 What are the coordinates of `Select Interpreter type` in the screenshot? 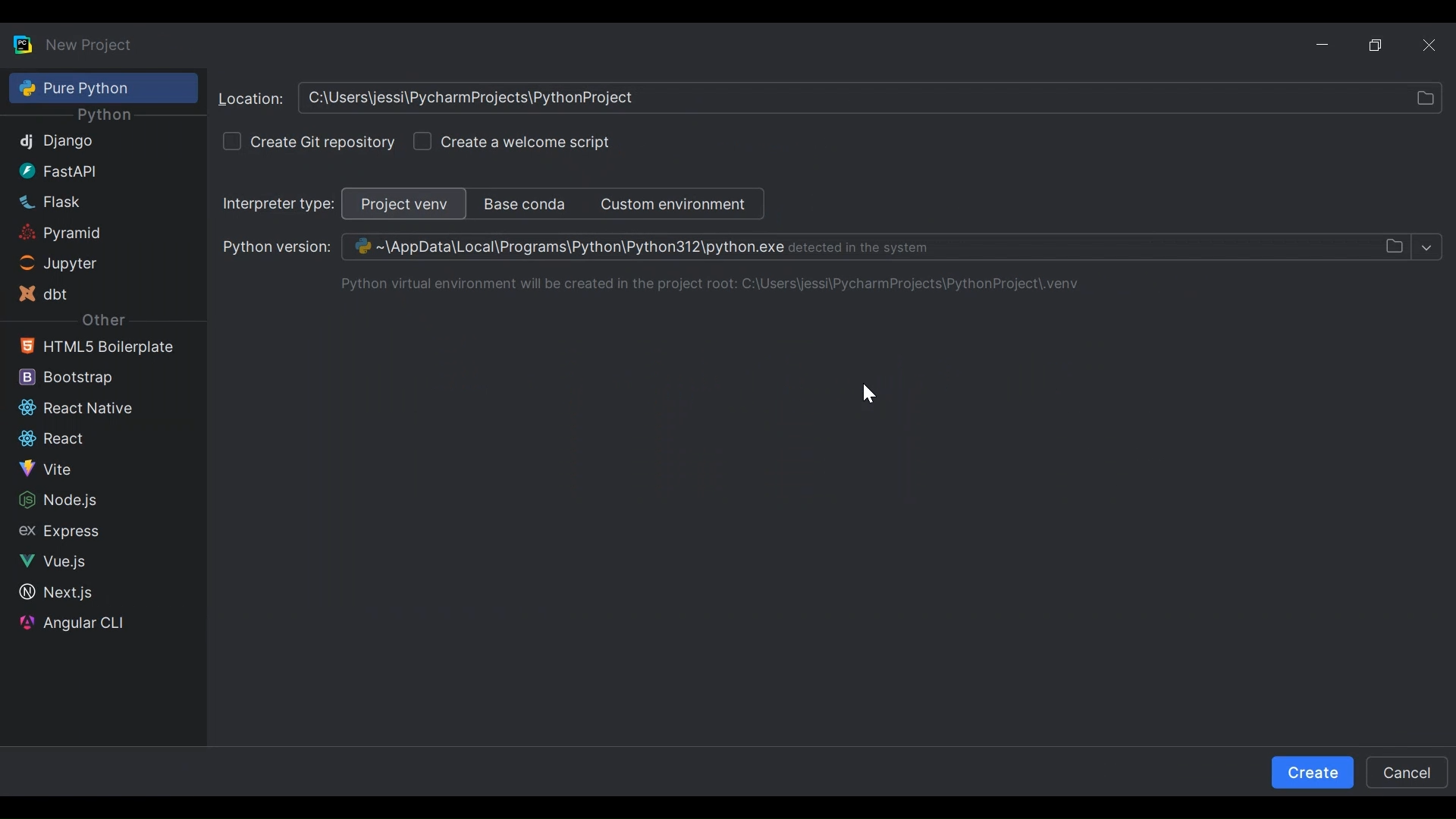 It's located at (279, 204).